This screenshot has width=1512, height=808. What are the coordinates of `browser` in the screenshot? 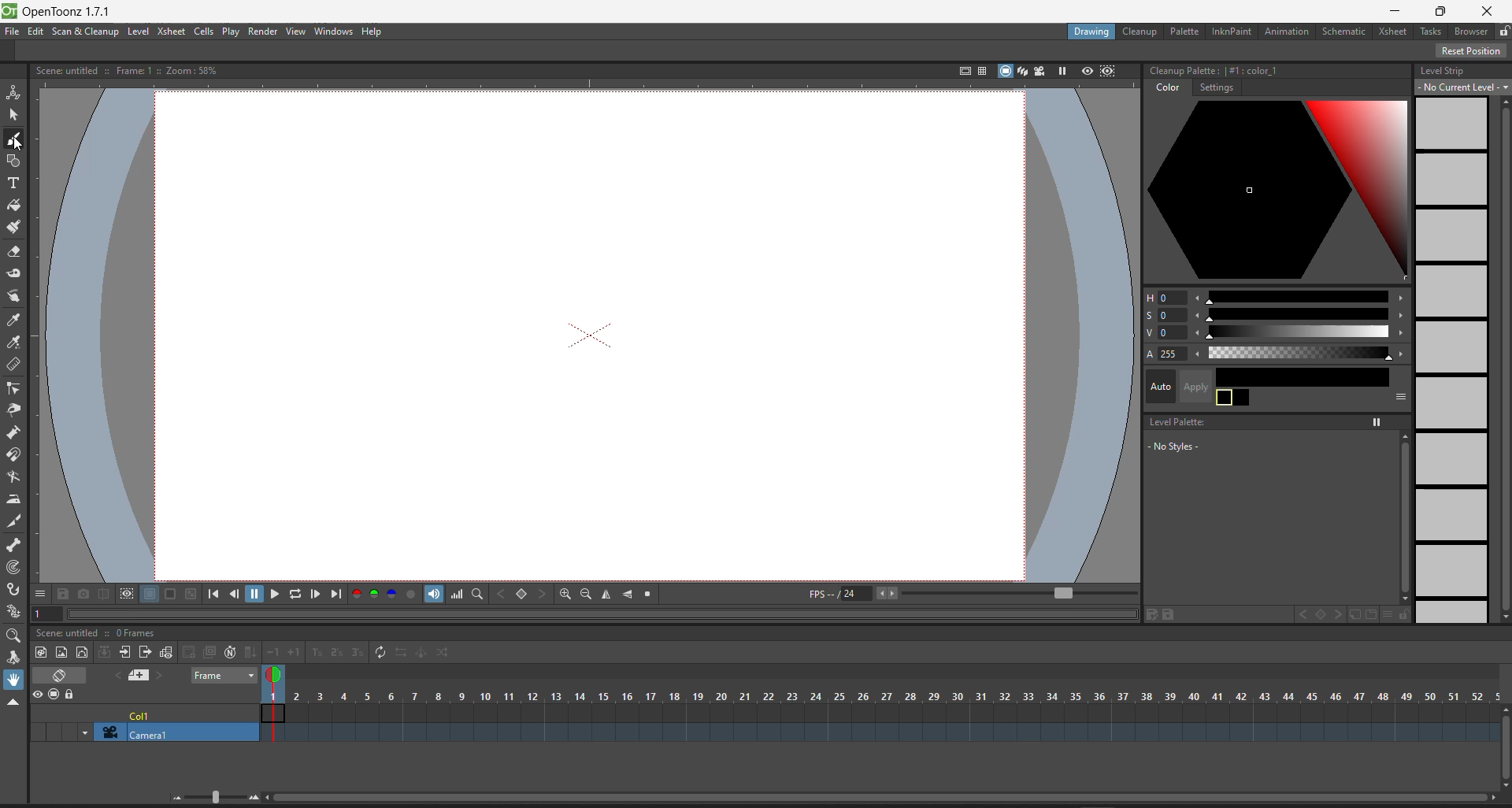 It's located at (1471, 32).